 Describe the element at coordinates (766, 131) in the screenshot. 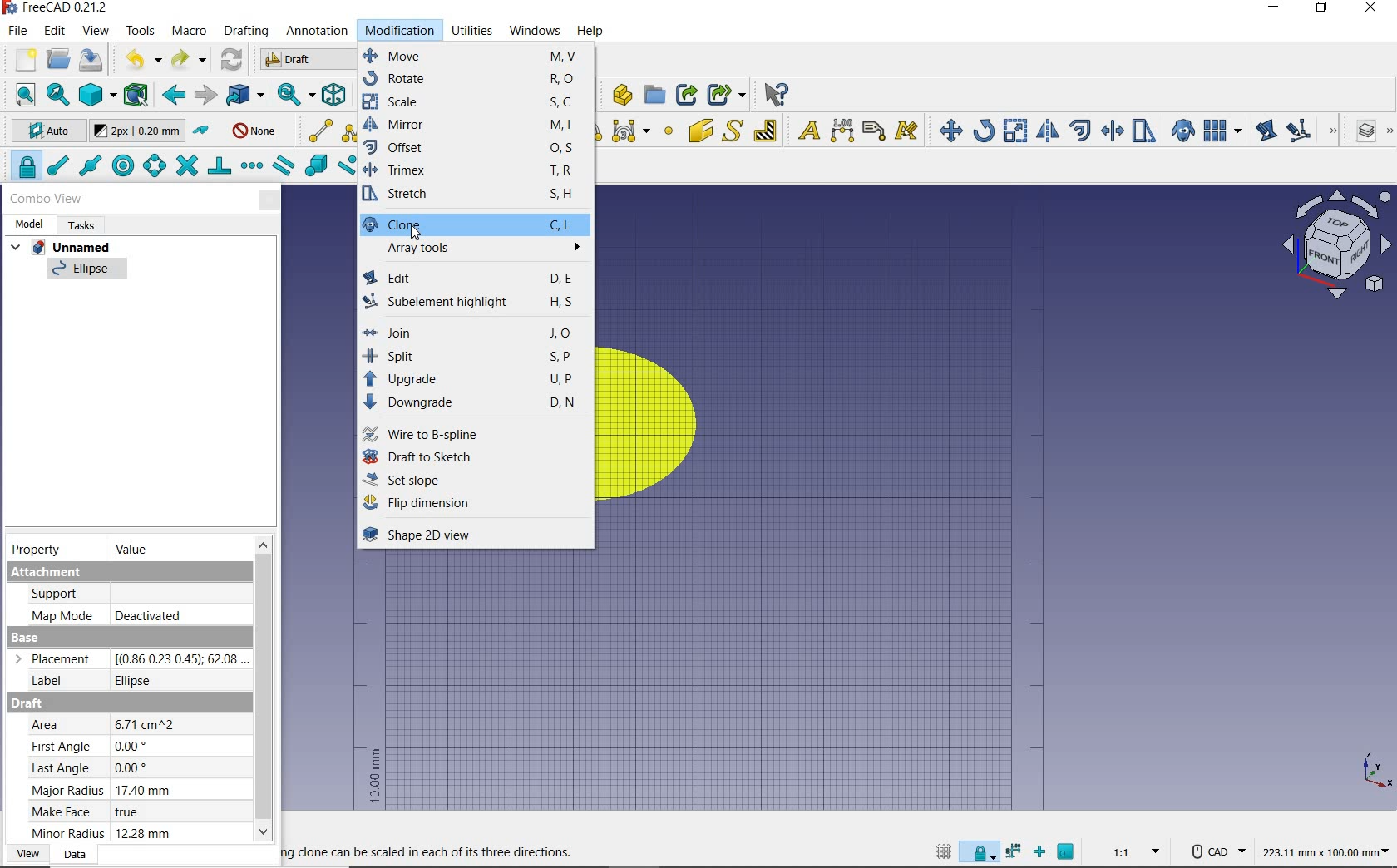

I see `hatch` at that location.